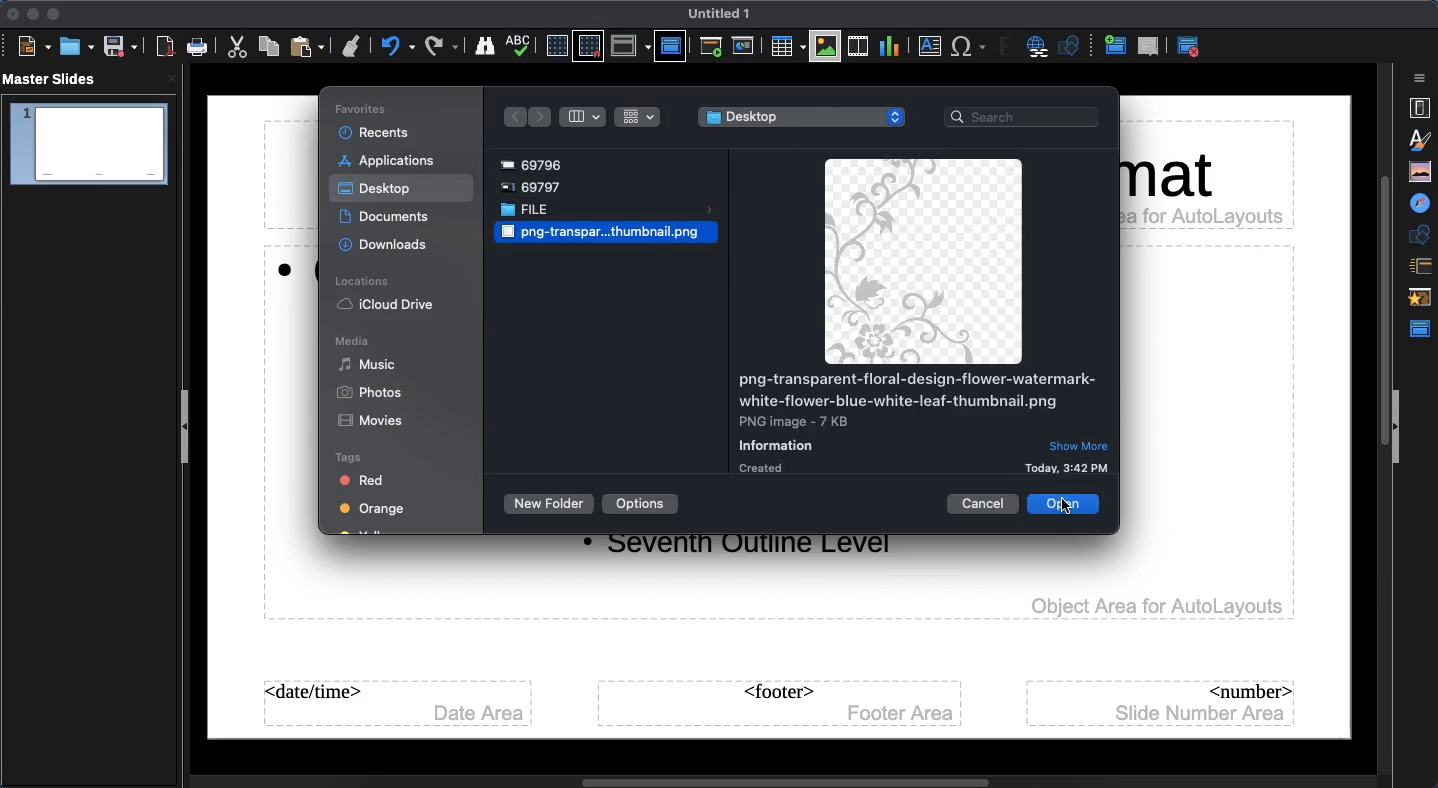  Describe the element at coordinates (786, 46) in the screenshot. I see `Table` at that location.